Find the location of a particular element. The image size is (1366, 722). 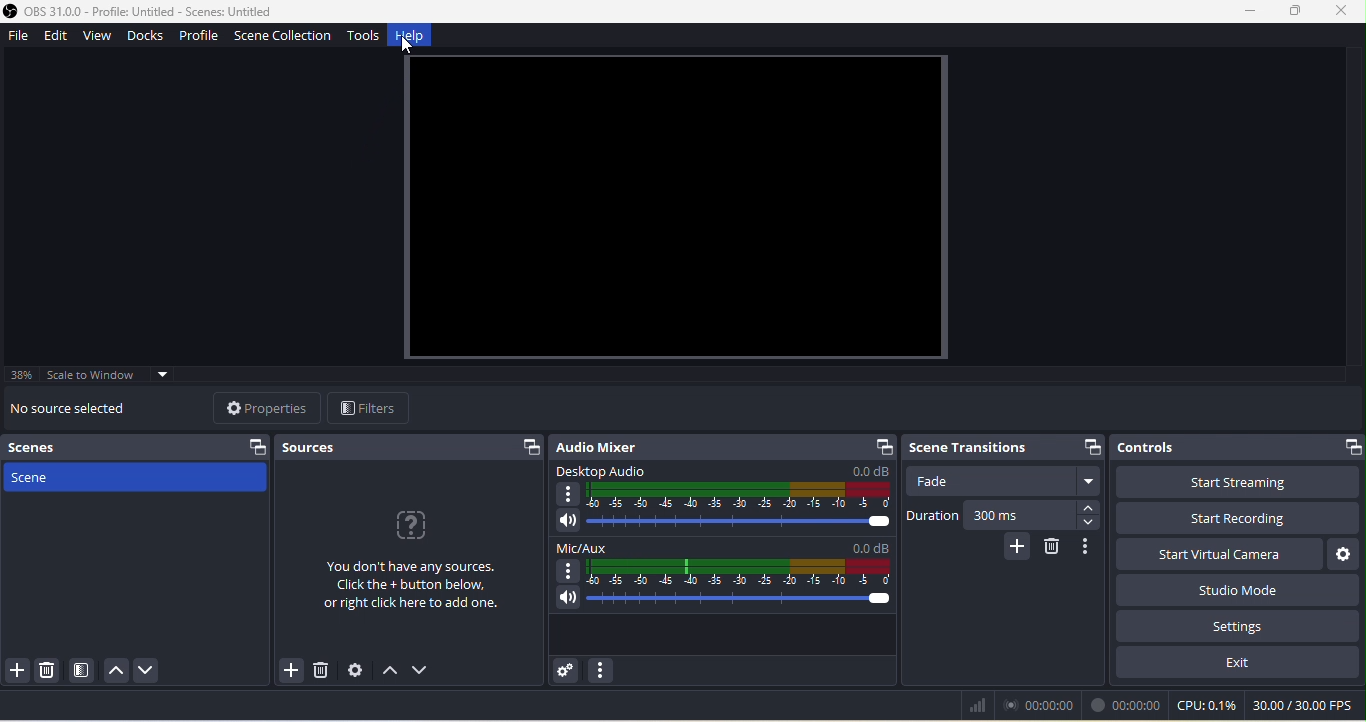

30.00/30.00 fps is located at coordinates (1308, 707).